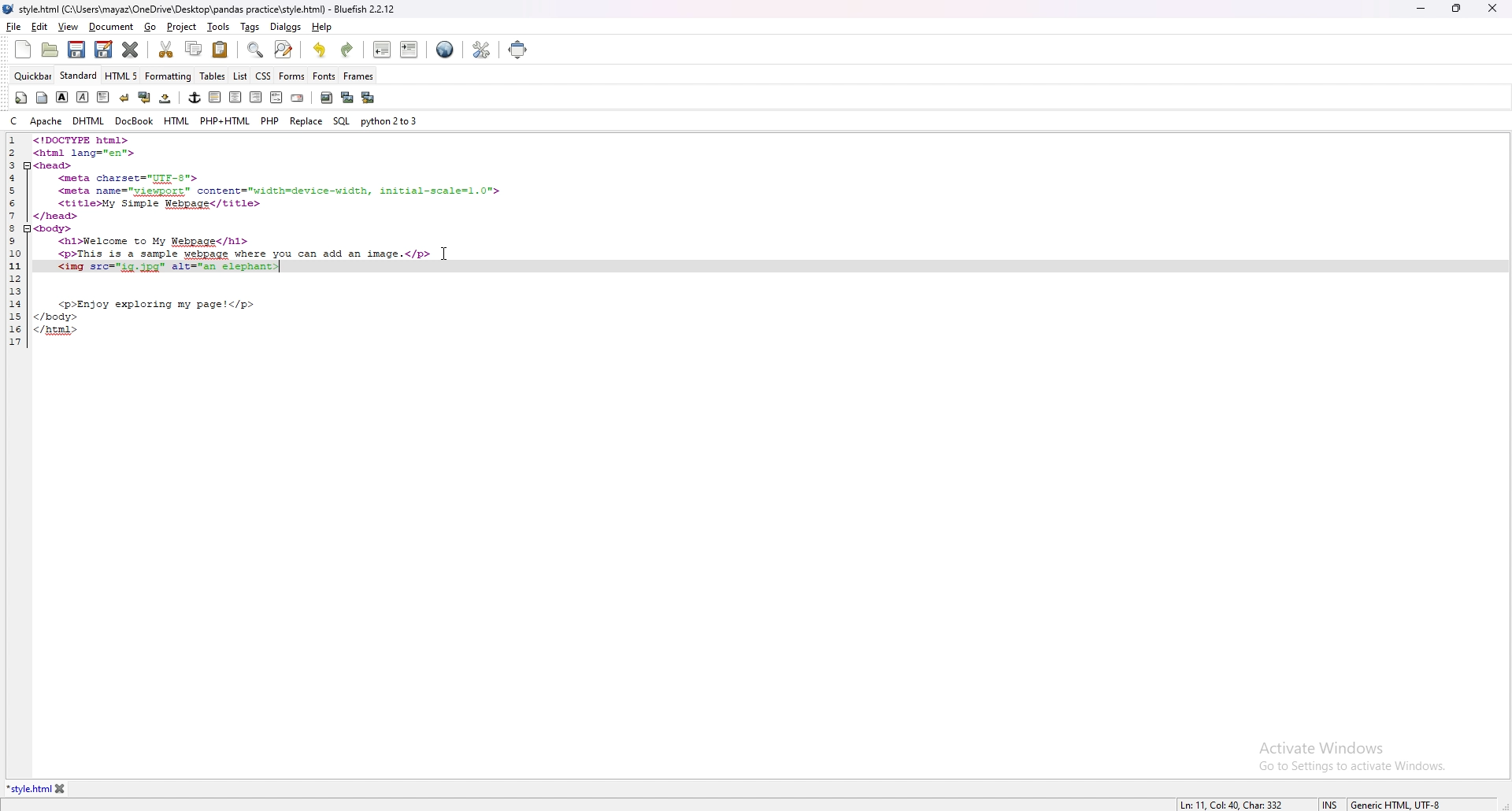  Describe the element at coordinates (103, 97) in the screenshot. I see `paragraph` at that location.